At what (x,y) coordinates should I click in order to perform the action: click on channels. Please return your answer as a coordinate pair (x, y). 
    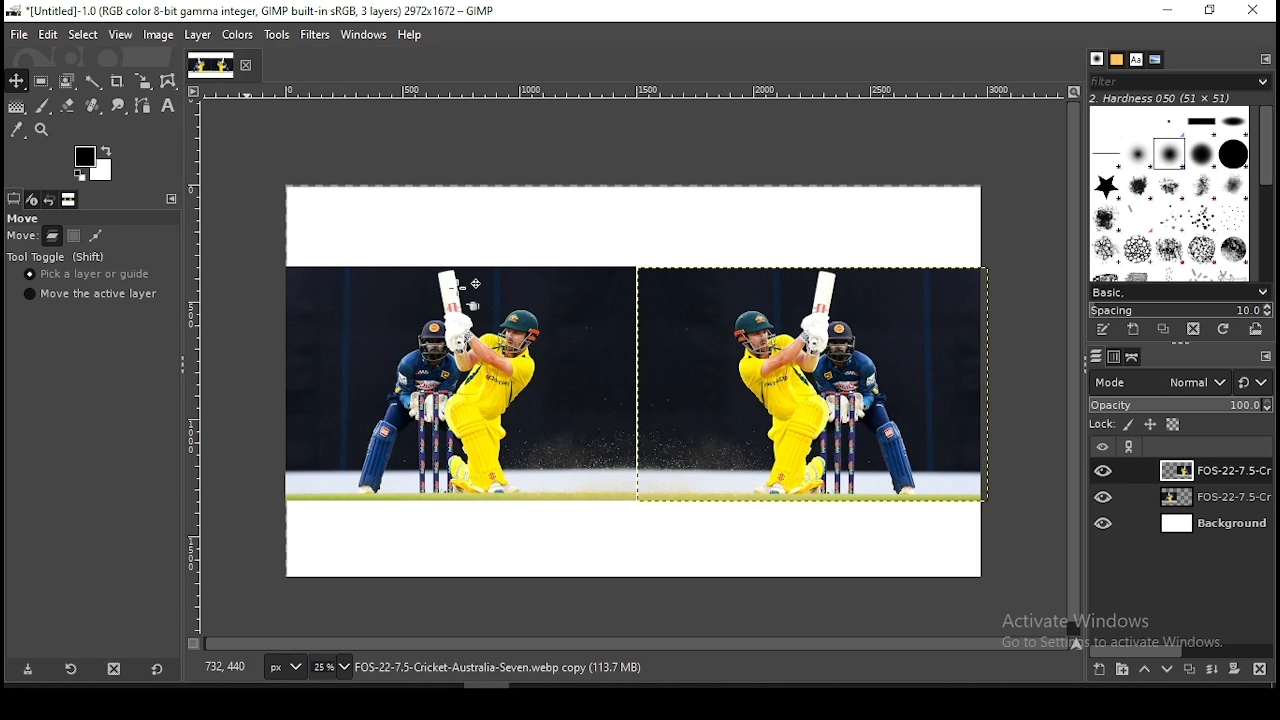
    Looking at the image, I should click on (1112, 358).